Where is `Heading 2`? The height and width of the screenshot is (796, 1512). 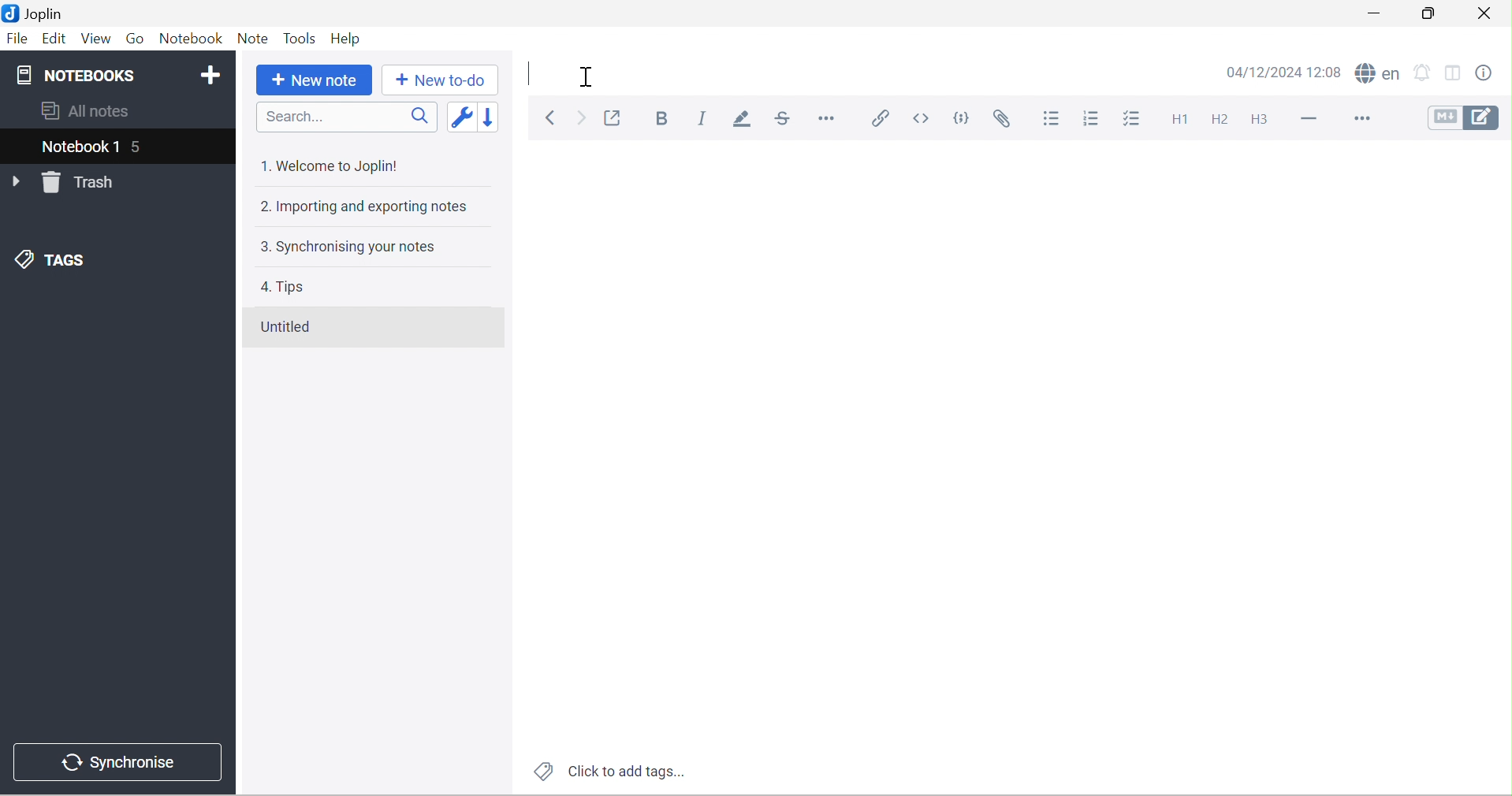
Heading 2 is located at coordinates (1223, 119).